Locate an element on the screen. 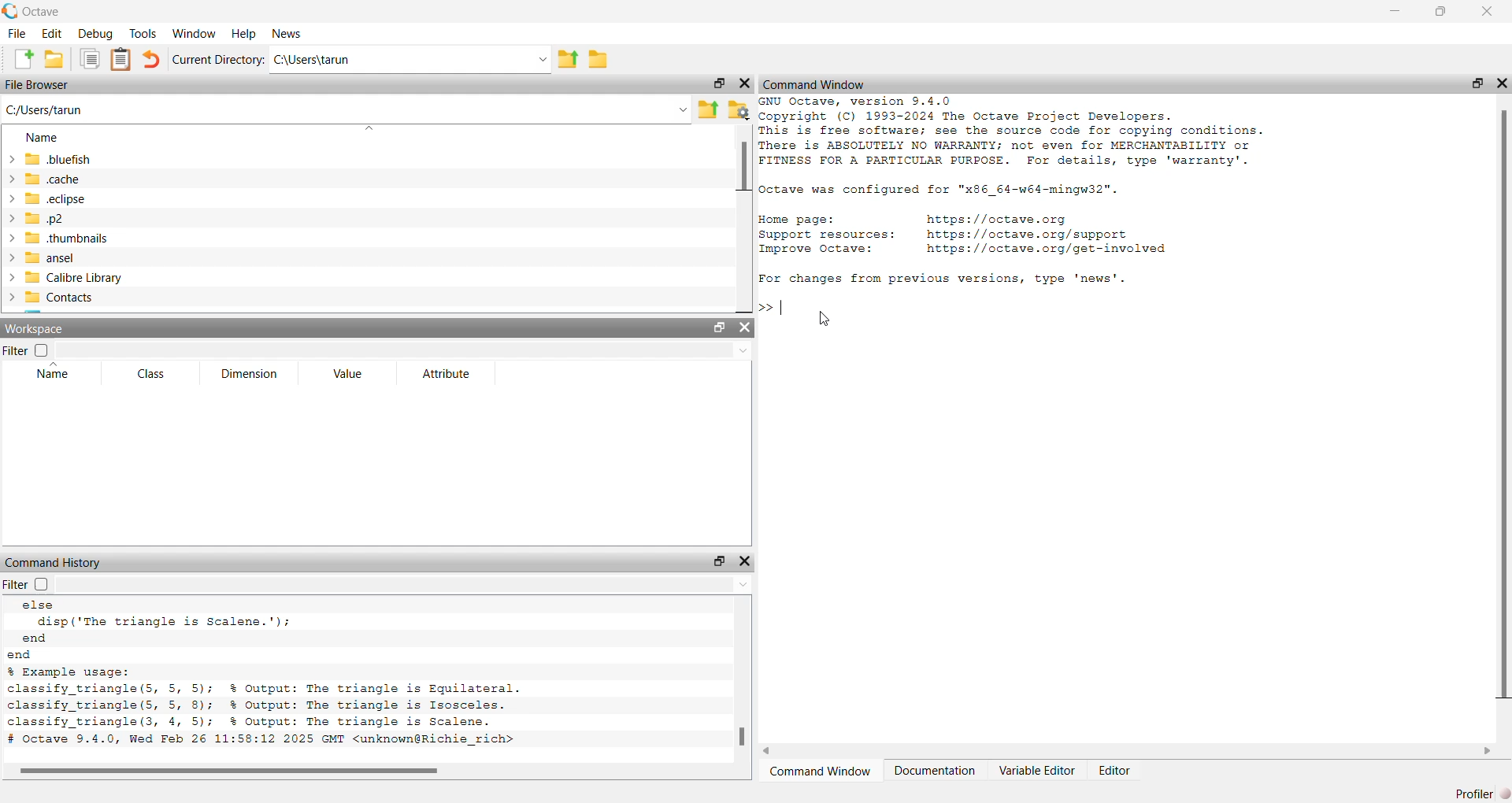 The width and height of the screenshot is (1512, 803). tools is located at coordinates (143, 31).